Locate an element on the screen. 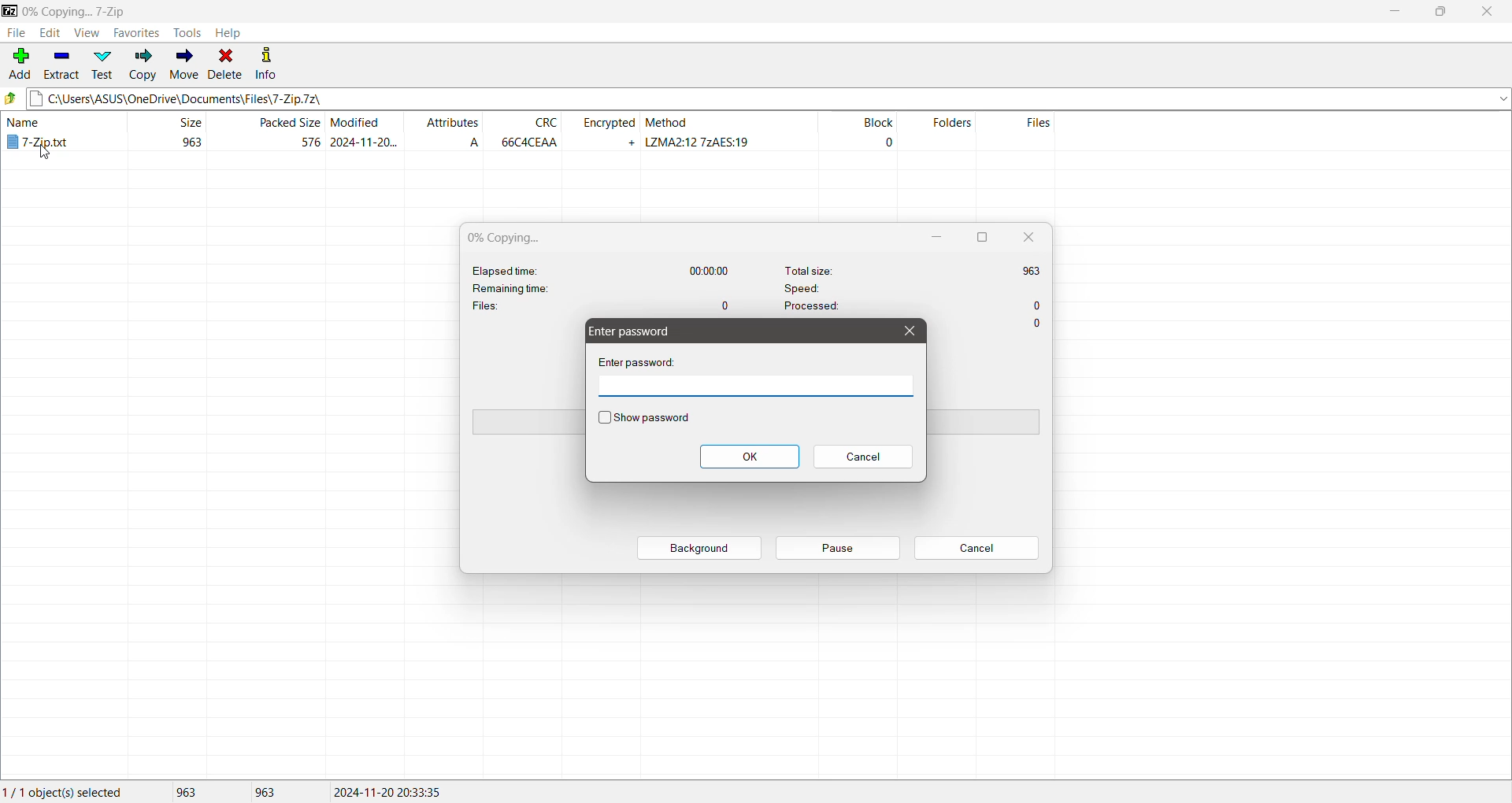 Image resolution: width=1512 pixels, height=803 pixels. Background is located at coordinates (701, 548).